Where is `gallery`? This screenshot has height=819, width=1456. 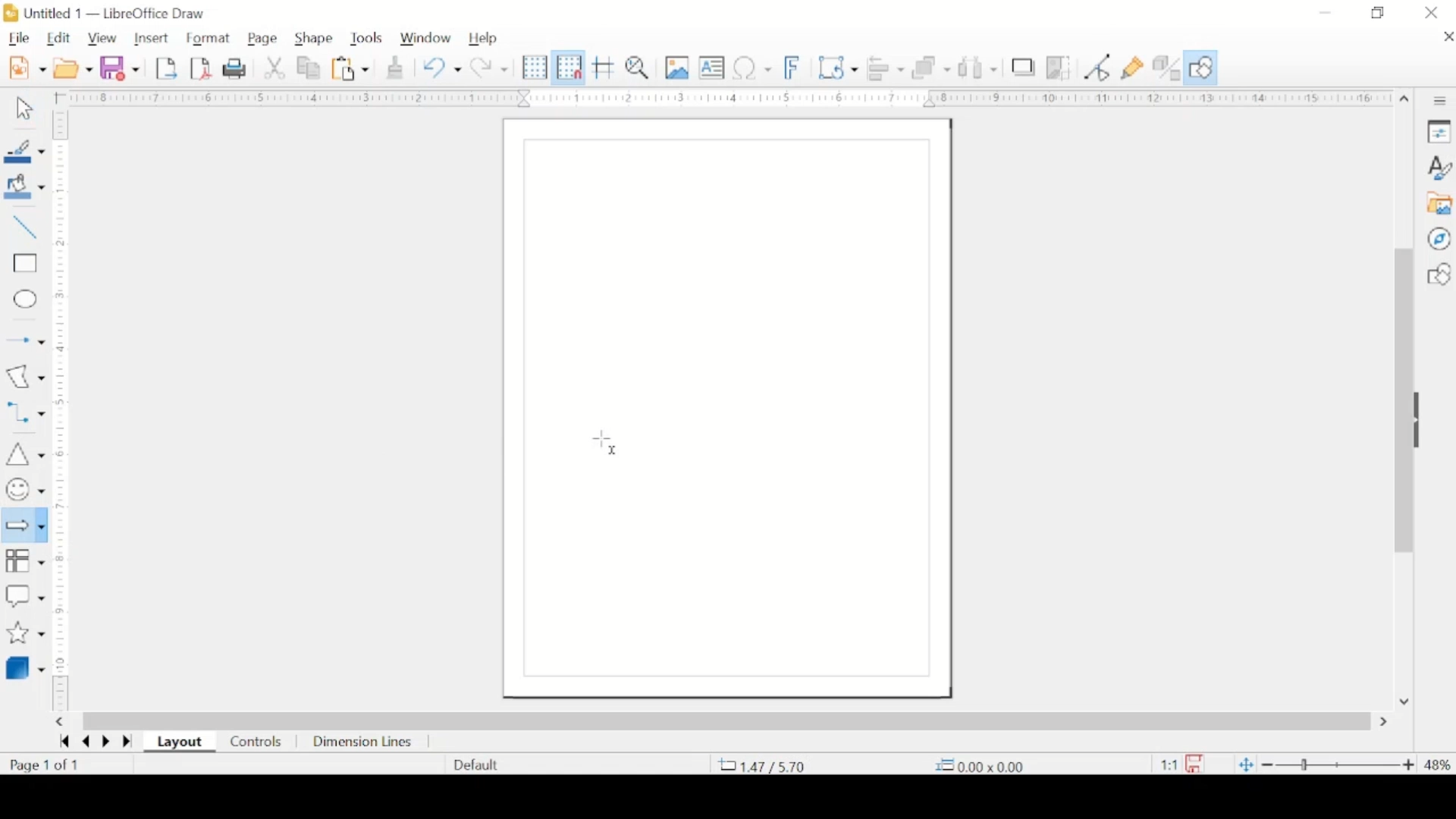 gallery is located at coordinates (1439, 203).